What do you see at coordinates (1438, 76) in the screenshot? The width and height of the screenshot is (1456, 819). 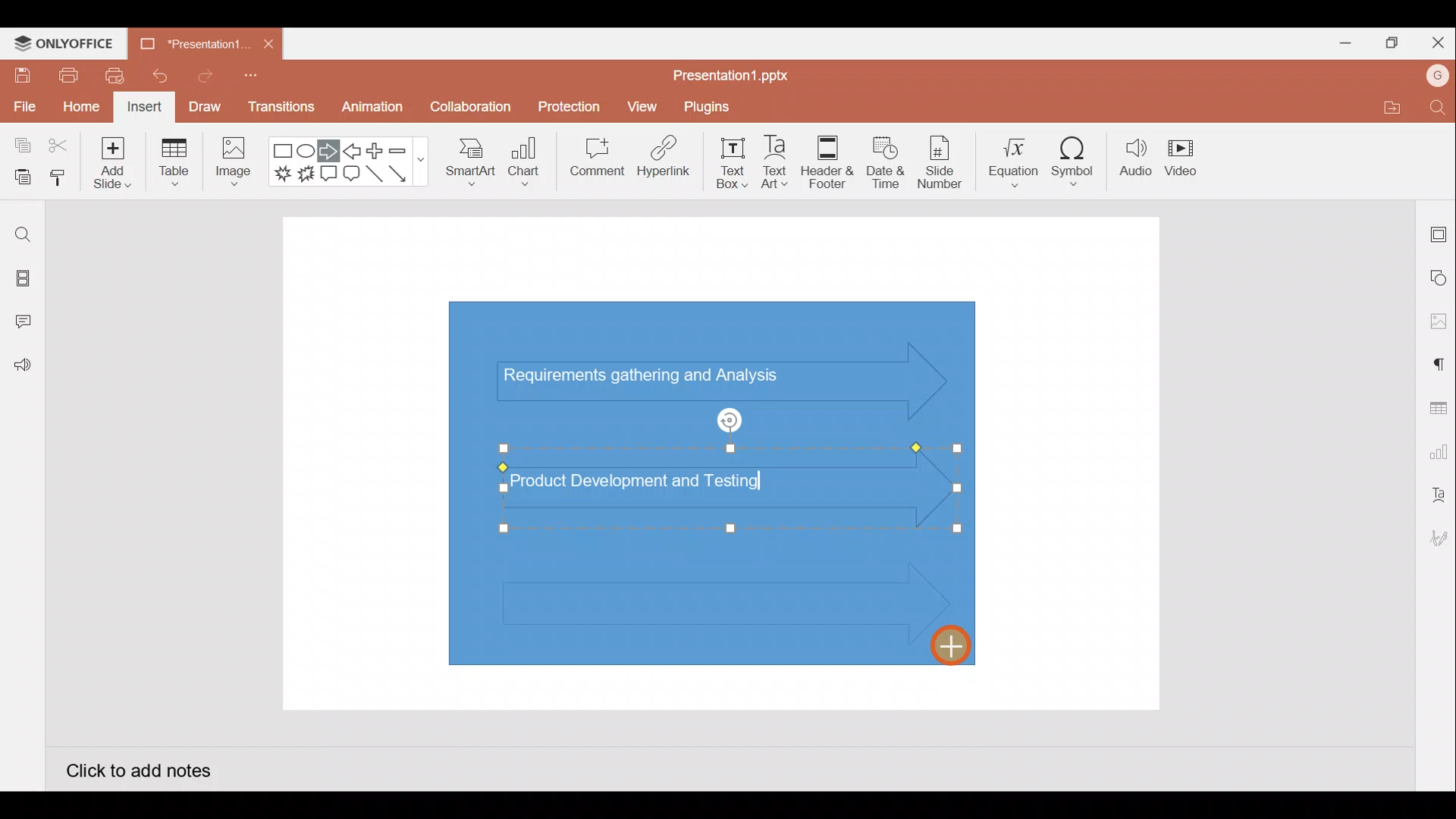 I see `Account name` at bounding box center [1438, 76].